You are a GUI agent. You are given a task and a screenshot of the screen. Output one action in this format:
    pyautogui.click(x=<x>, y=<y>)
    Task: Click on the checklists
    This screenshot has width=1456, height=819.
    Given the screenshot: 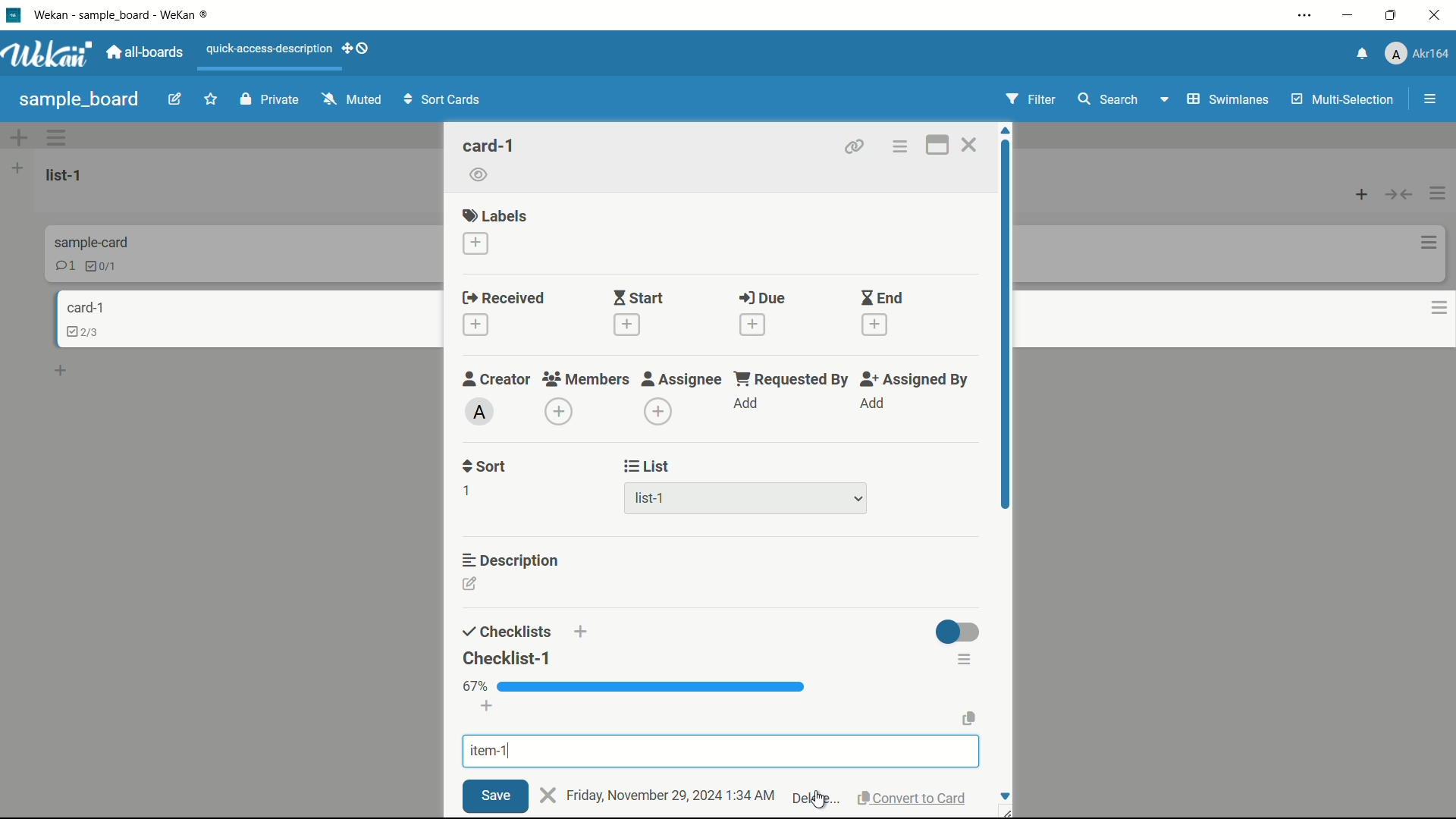 What is the action you would take?
    pyautogui.click(x=504, y=632)
    